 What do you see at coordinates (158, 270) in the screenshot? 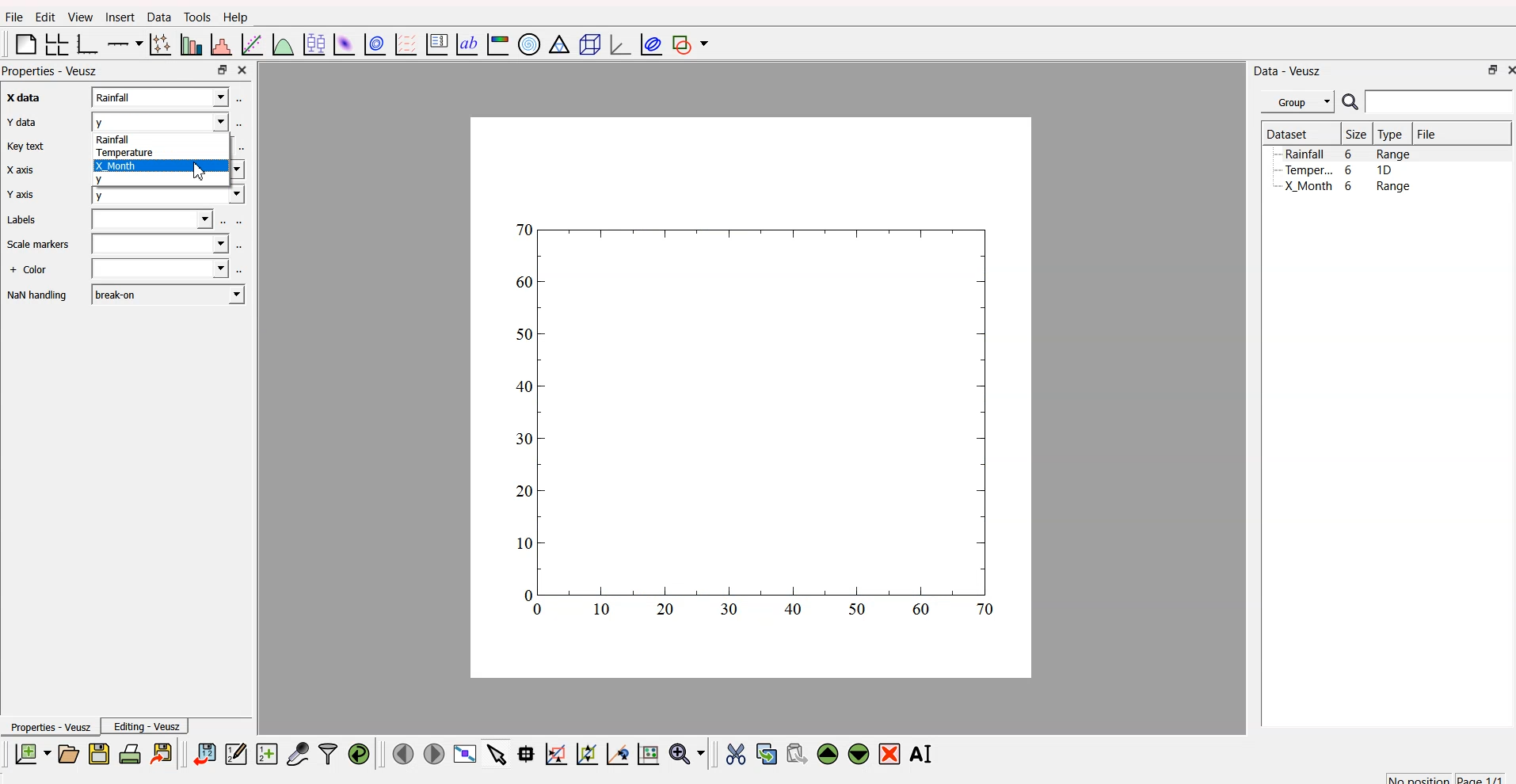
I see `field` at bounding box center [158, 270].